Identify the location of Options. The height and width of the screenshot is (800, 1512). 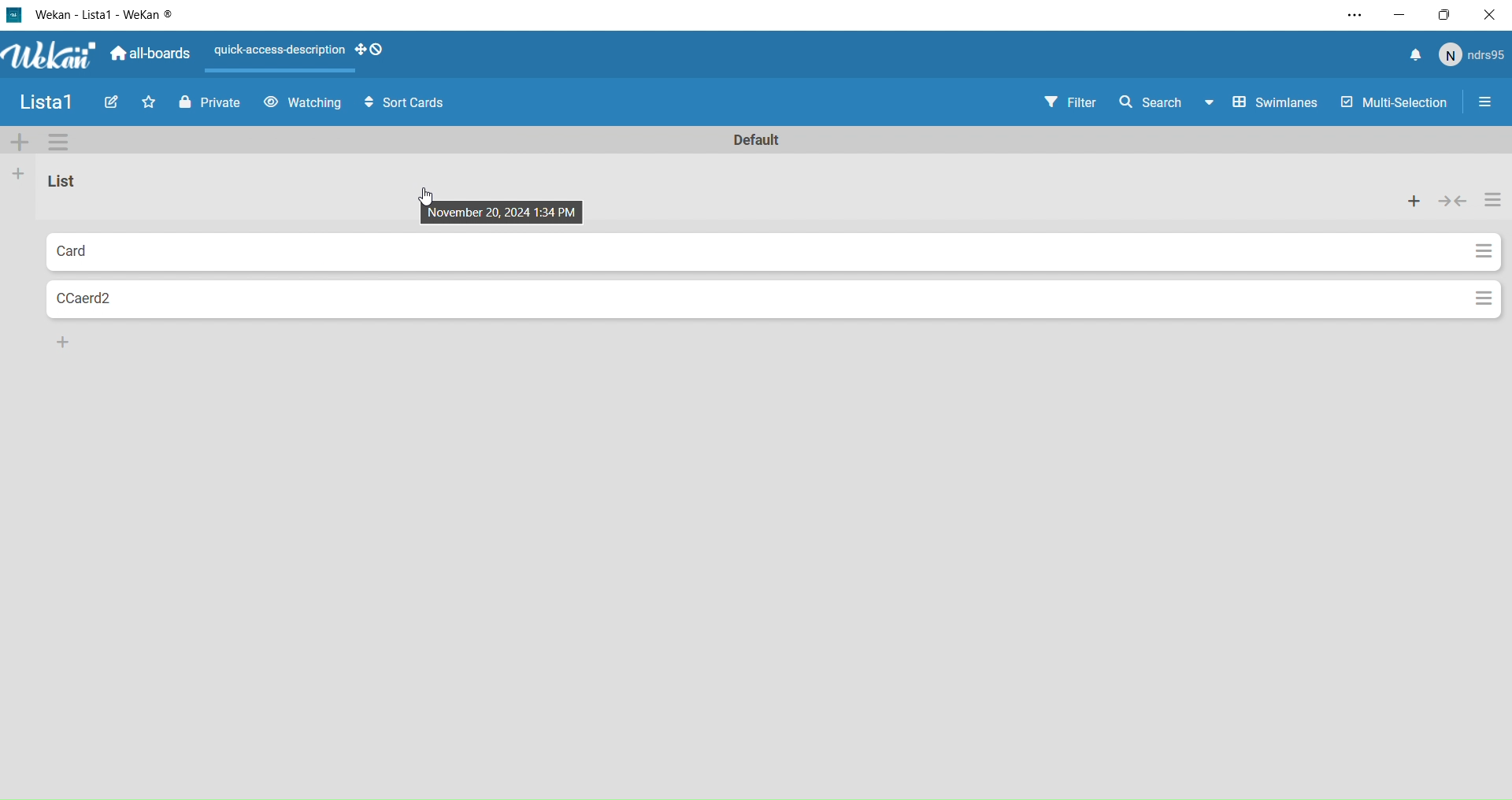
(1473, 251).